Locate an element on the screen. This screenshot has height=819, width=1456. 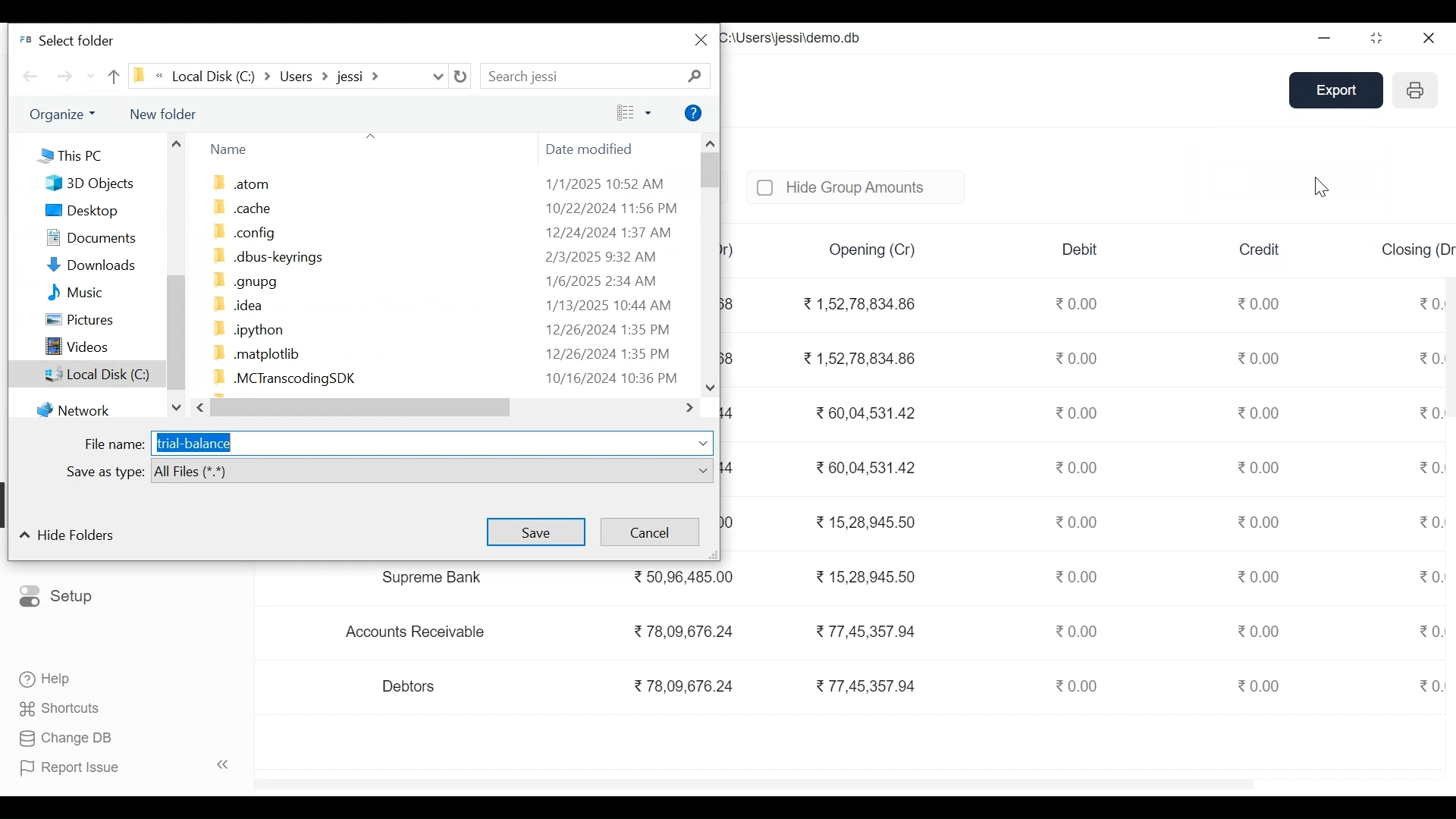
scrollbar is located at coordinates (759, 782).